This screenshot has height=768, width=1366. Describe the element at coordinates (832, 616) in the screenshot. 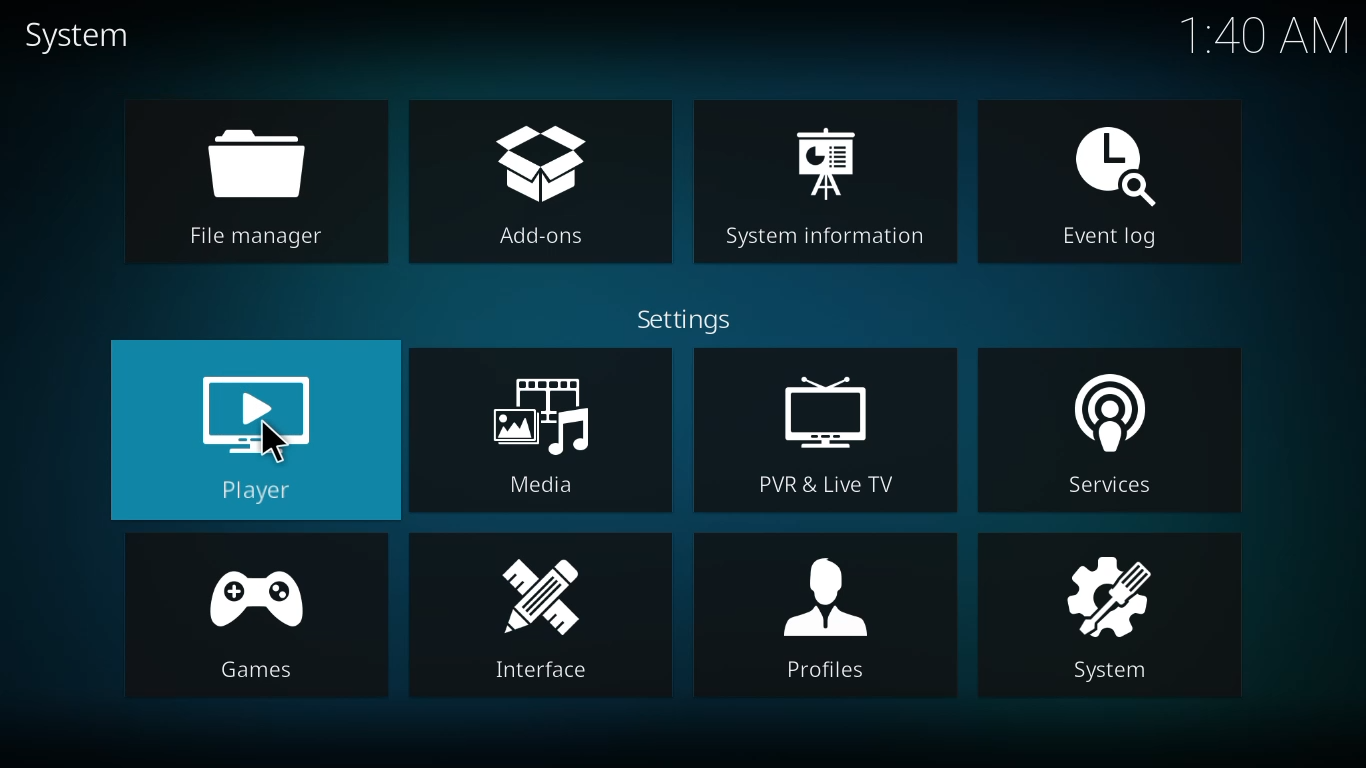

I see `profiles` at that location.